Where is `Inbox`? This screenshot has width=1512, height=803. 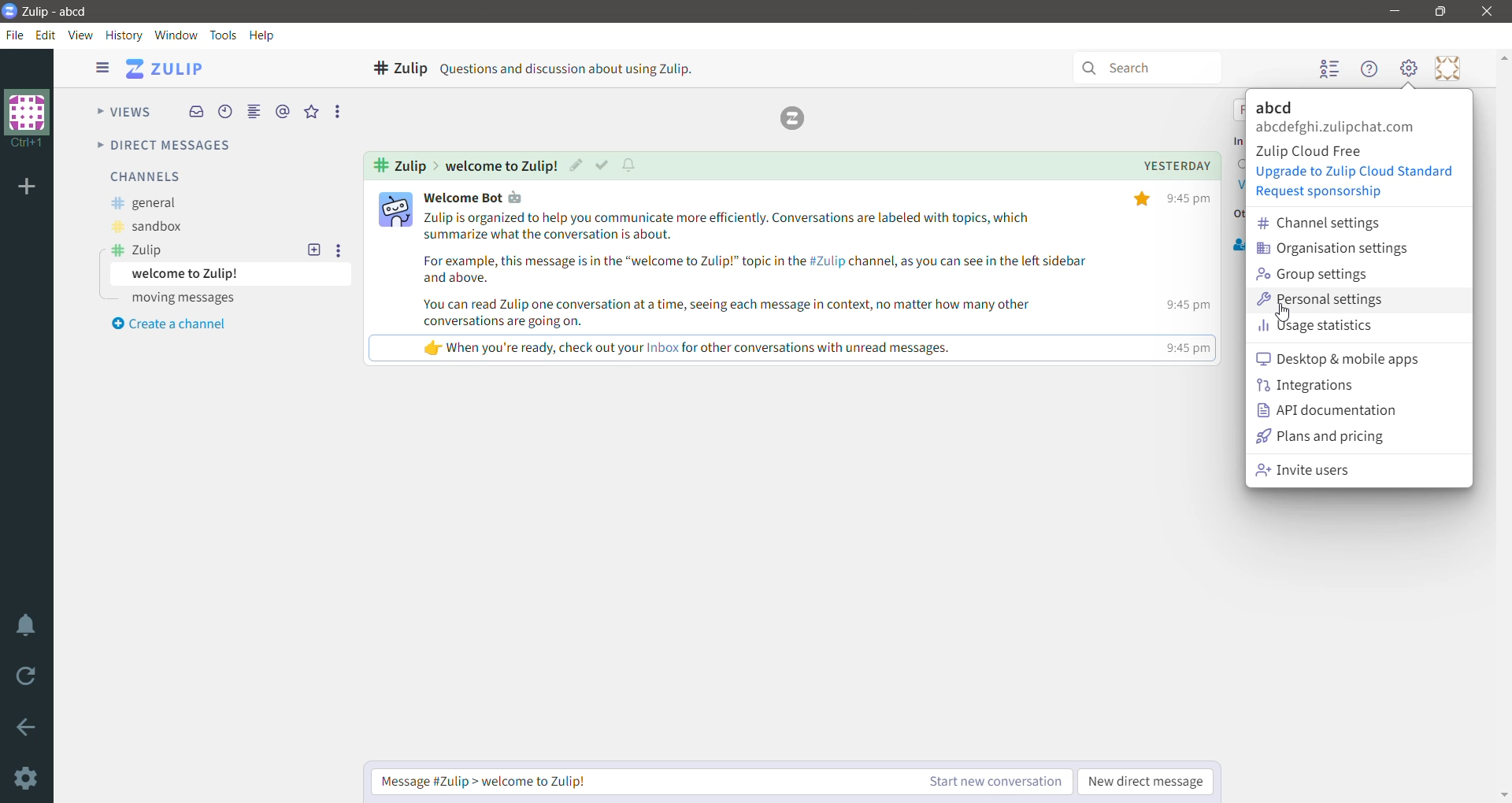
Inbox is located at coordinates (195, 113).